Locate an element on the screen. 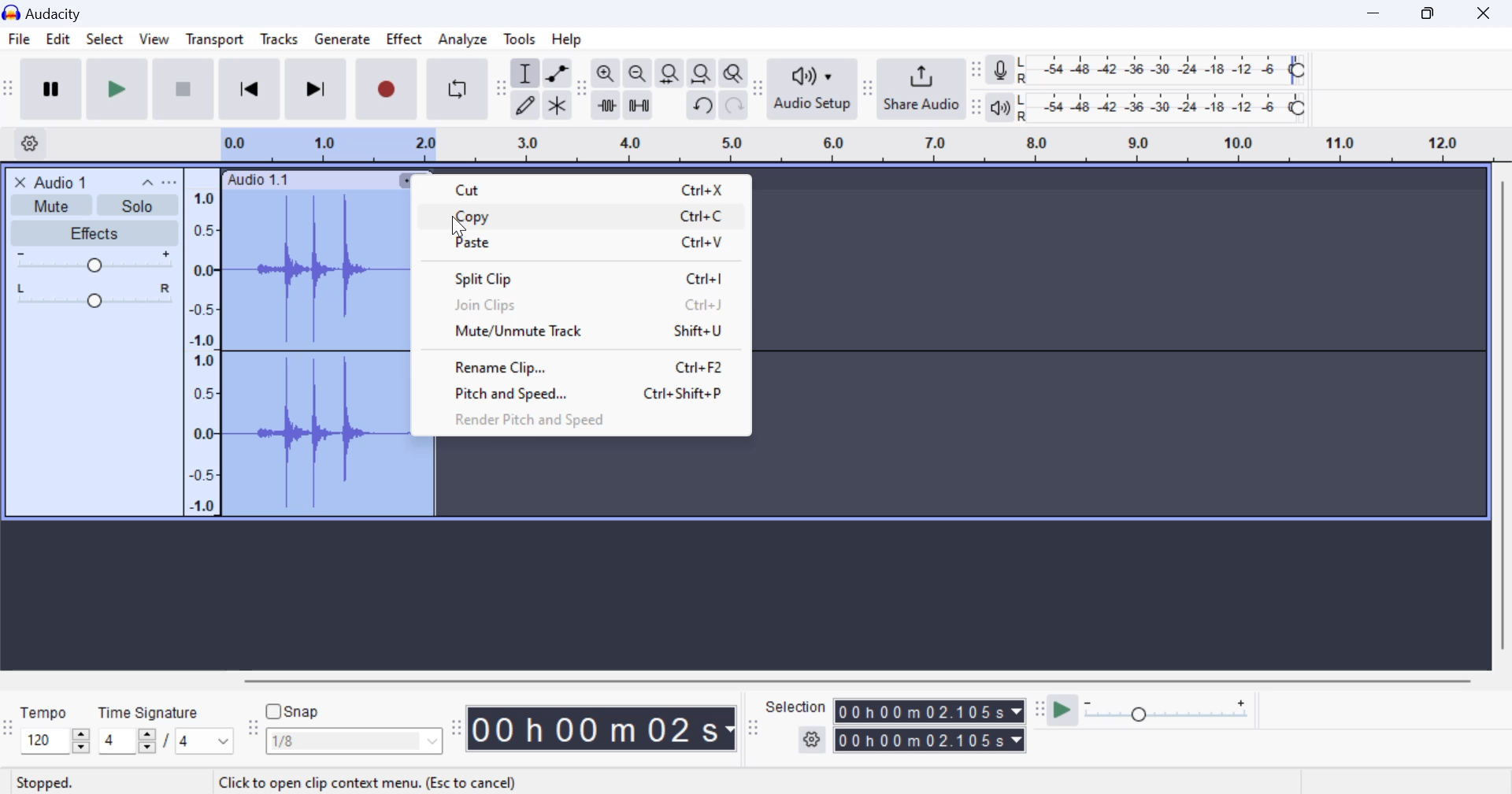 The image size is (1512, 794). envelop tool is located at coordinates (557, 75).